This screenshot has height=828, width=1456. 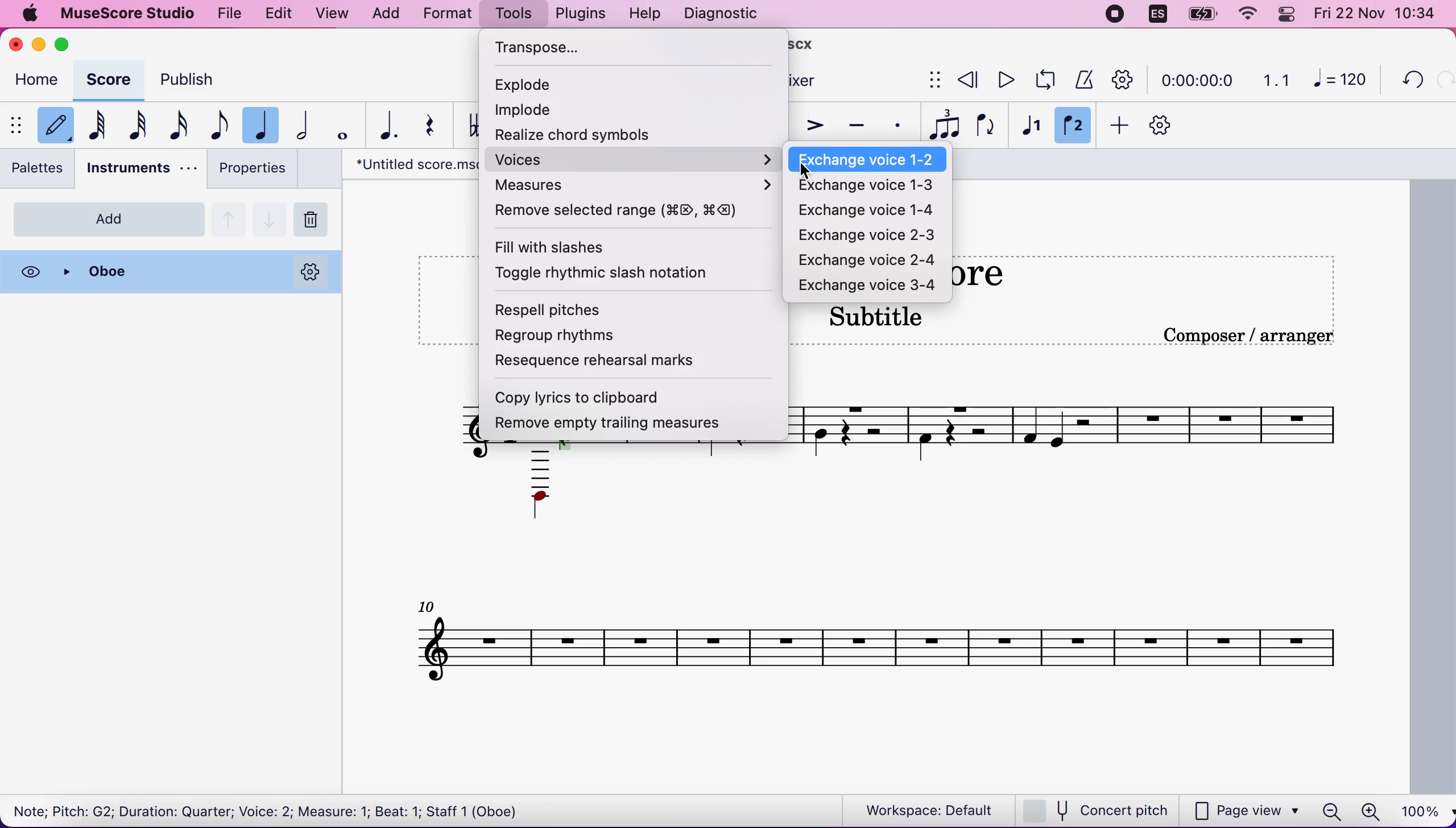 What do you see at coordinates (1199, 15) in the screenshot?
I see `battery` at bounding box center [1199, 15].